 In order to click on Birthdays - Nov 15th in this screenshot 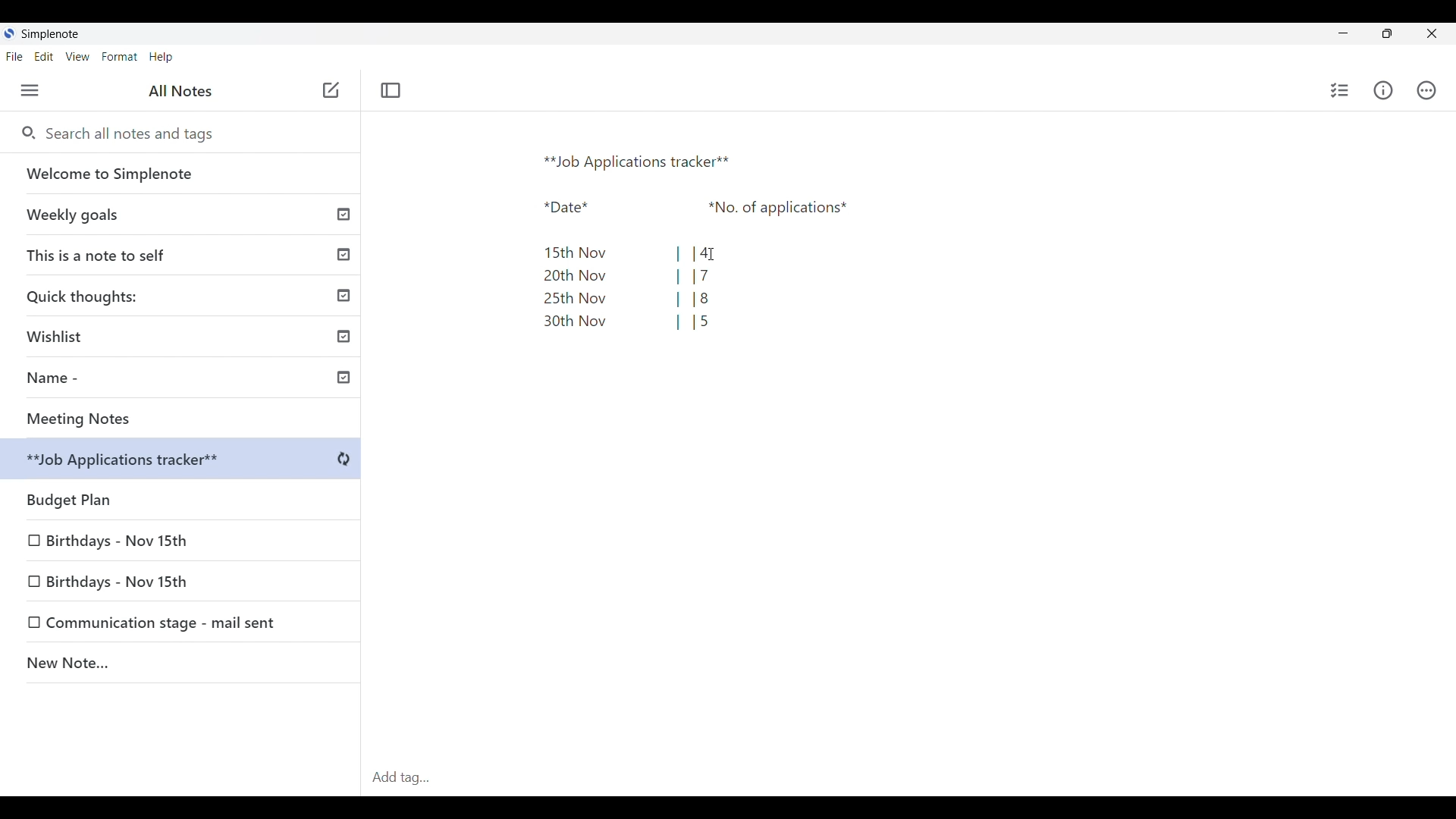, I will do `click(166, 623)`.